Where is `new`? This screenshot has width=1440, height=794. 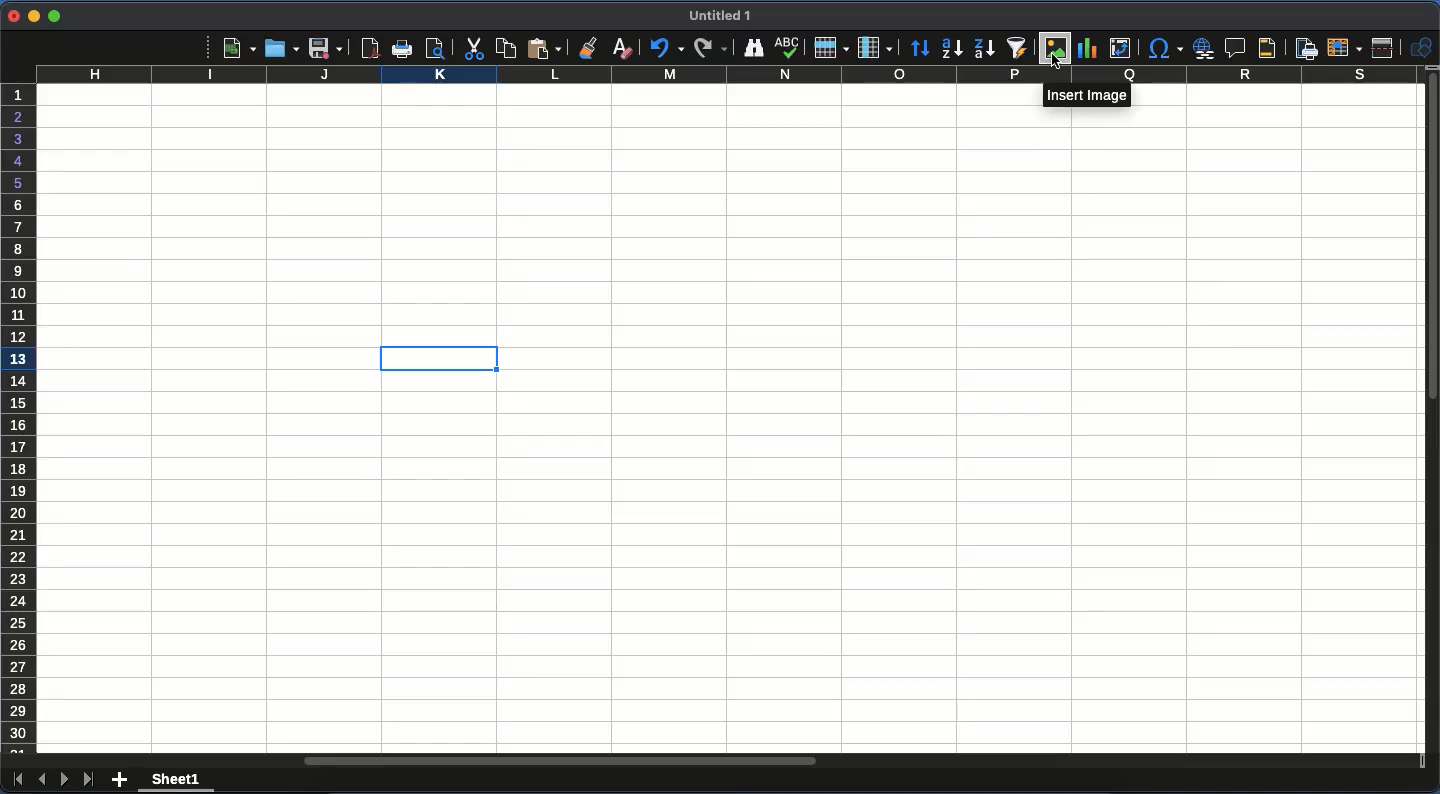
new is located at coordinates (239, 49).